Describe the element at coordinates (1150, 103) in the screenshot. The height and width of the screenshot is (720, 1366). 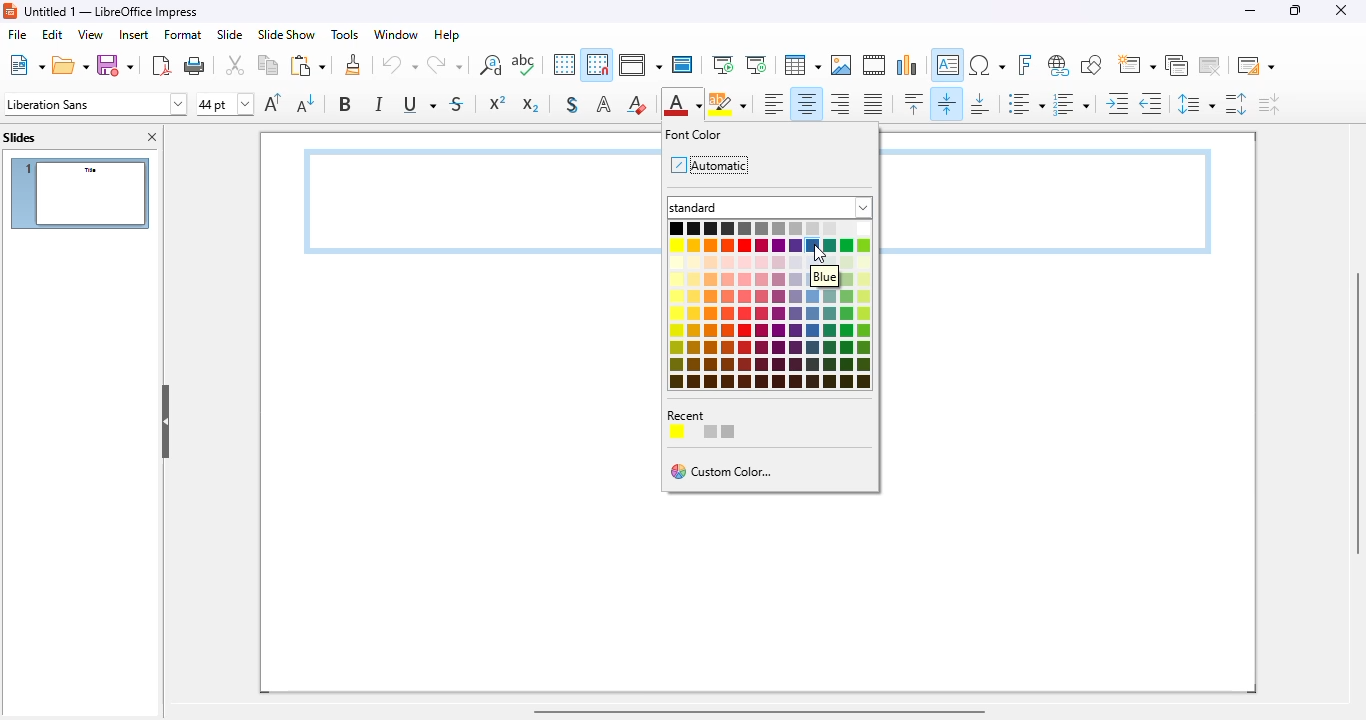
I see `decrease indent` at that location.